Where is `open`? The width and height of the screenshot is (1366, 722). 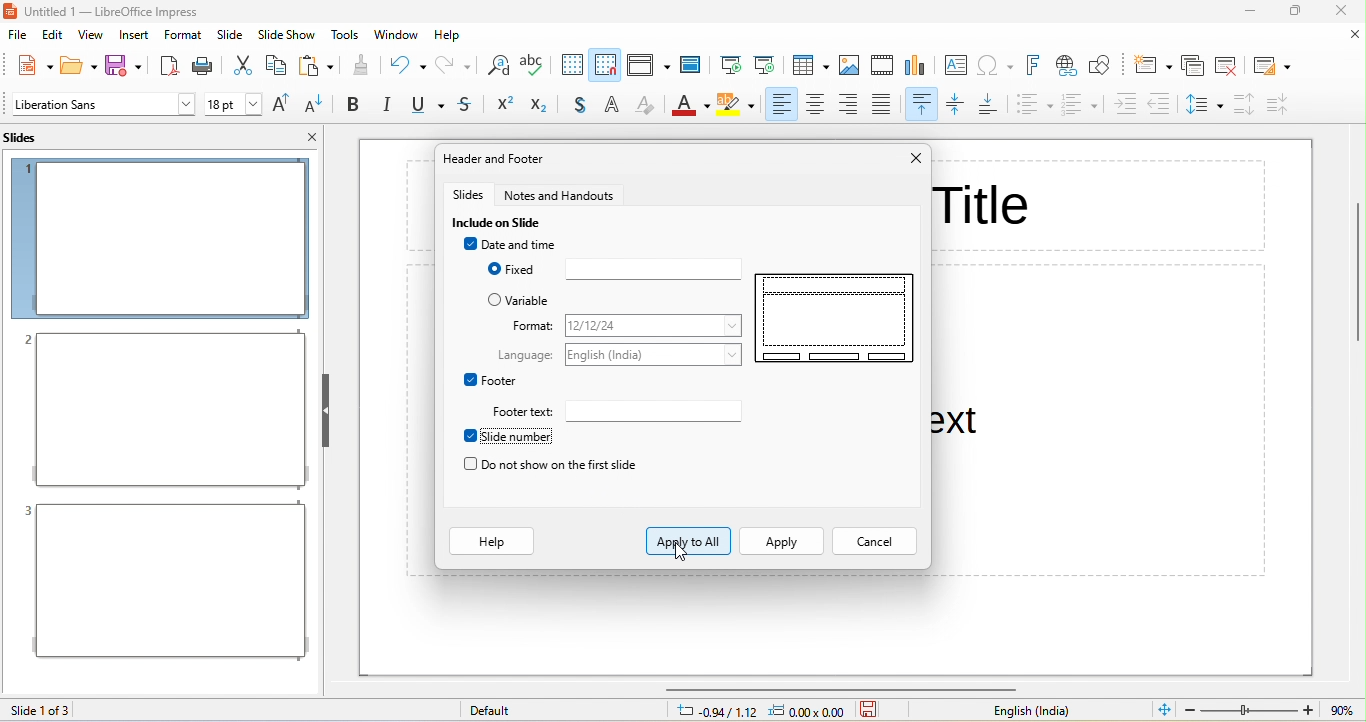 open is located at coordinates (80, 64).